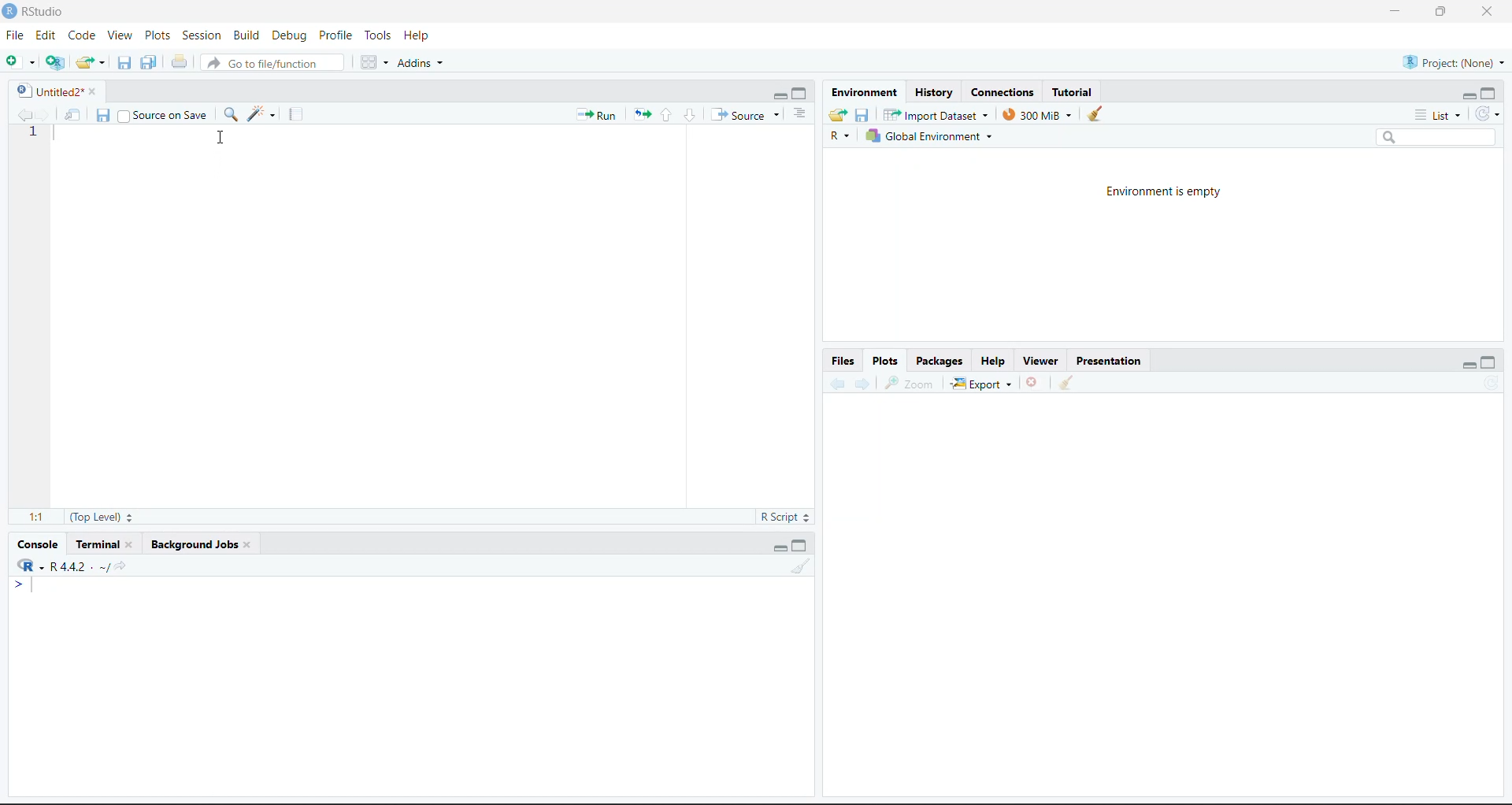 This screenshot has height=805, width=1512. What do you see at coordinates (640, 116) in the screenshot?
I see `re run the previous code` at bounding box center [640, 116].